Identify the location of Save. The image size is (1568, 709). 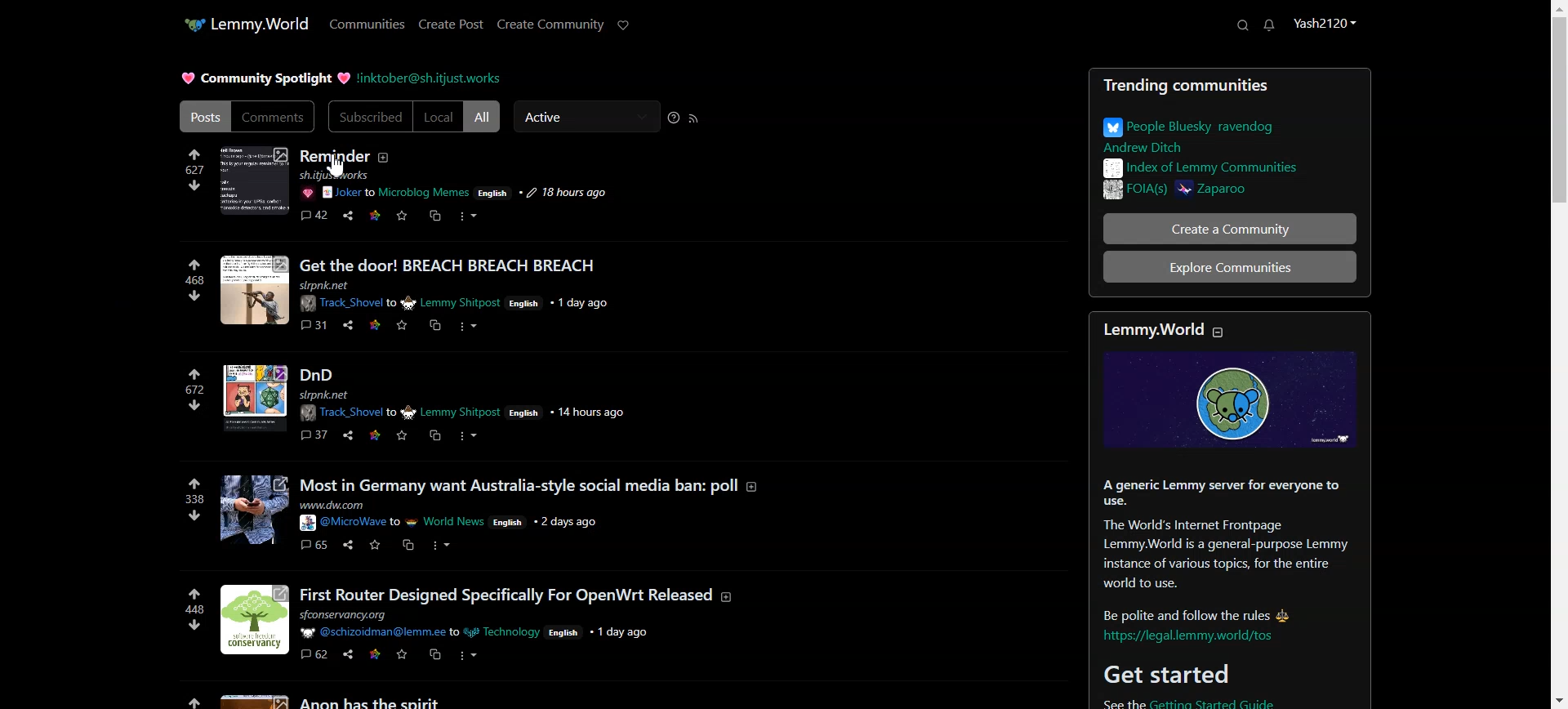
(402, 216).